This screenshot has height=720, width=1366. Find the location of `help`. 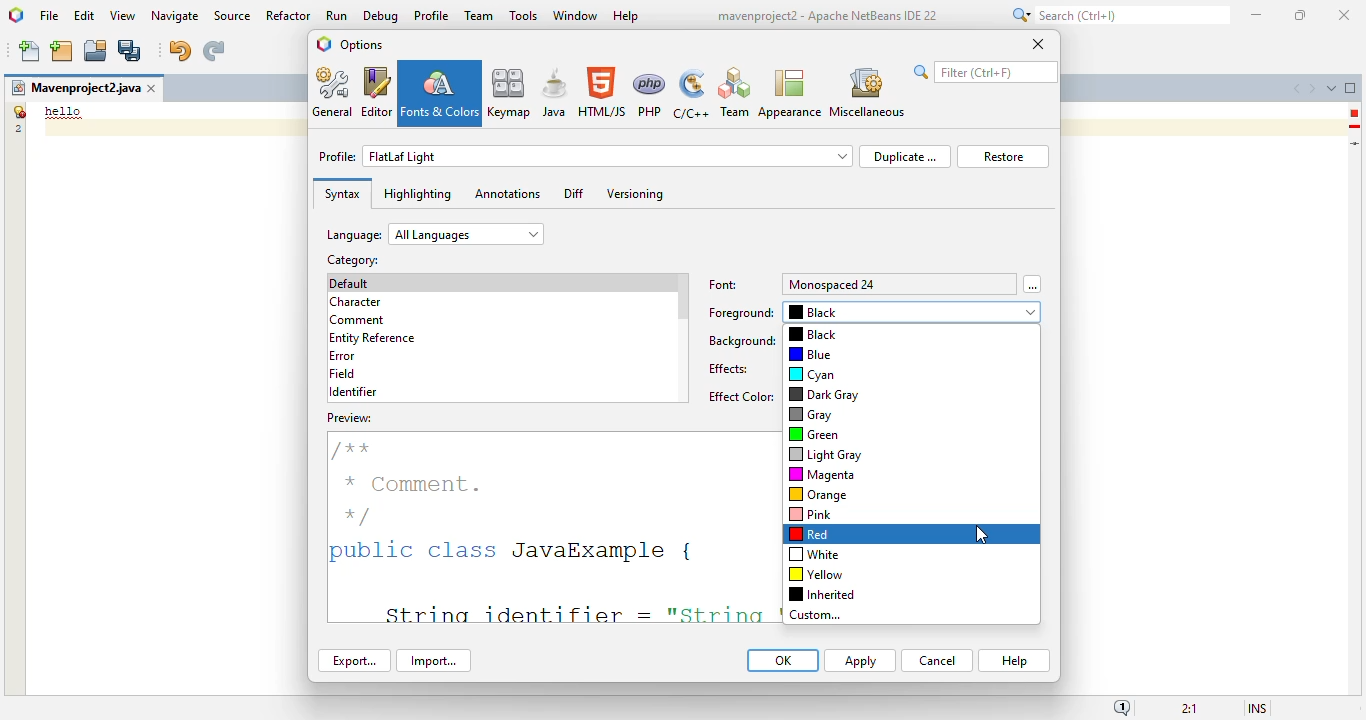

help is located at coordinates (1015, 661).